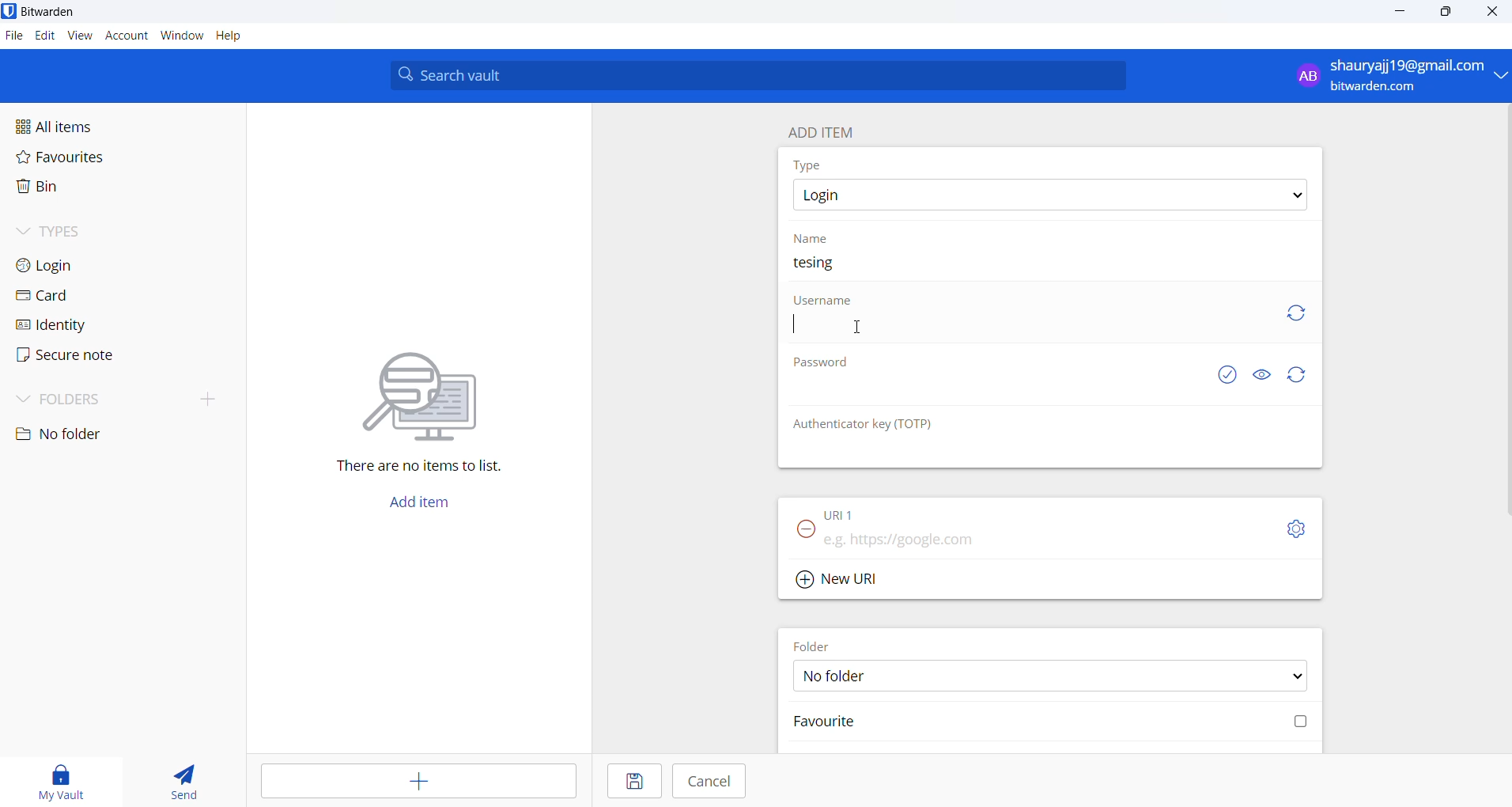 The image size is (1512, 807). I want to click on edit, so click(44, 37).